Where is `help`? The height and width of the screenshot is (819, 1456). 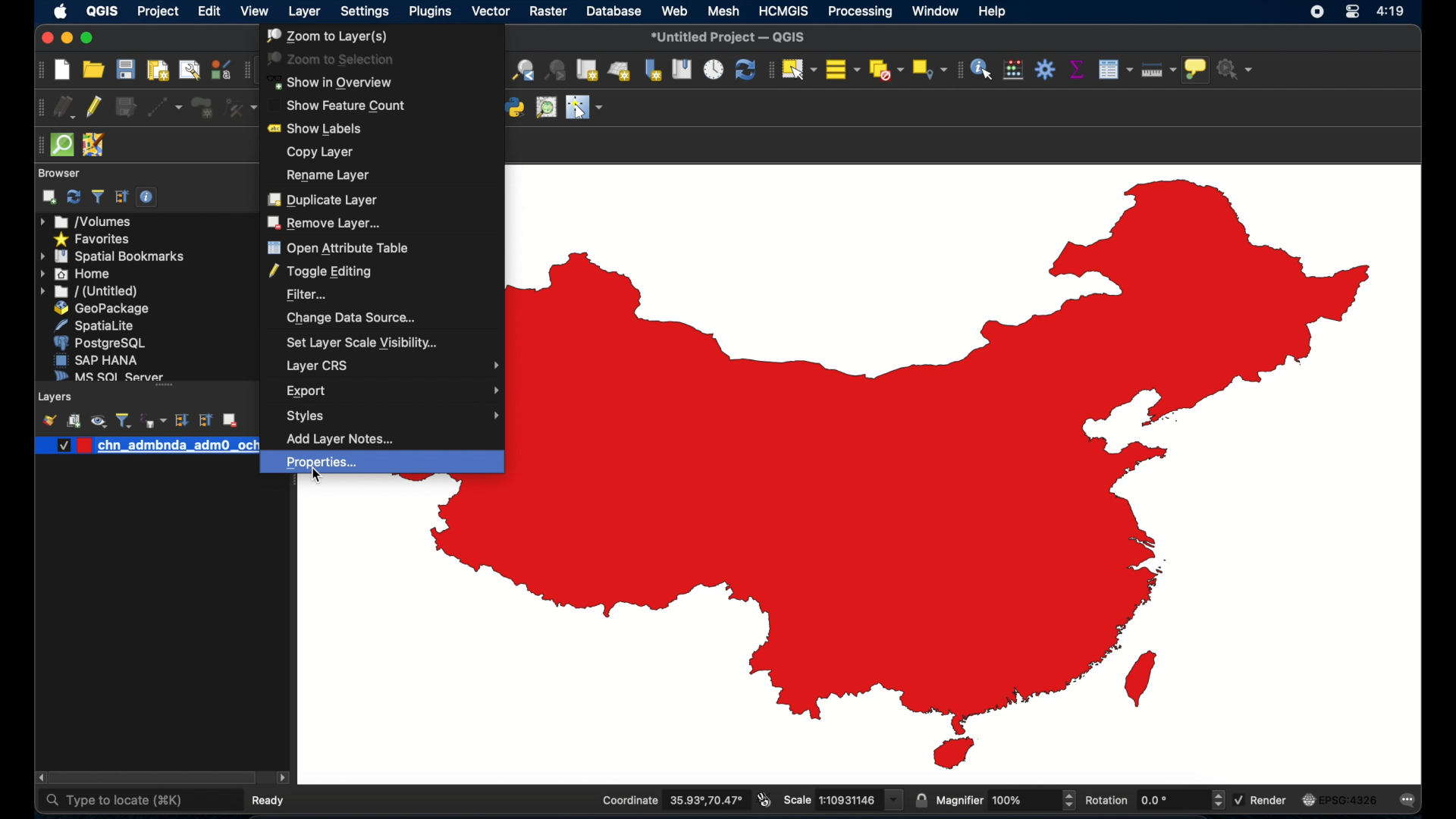 help is located at coordinates (994, 11).